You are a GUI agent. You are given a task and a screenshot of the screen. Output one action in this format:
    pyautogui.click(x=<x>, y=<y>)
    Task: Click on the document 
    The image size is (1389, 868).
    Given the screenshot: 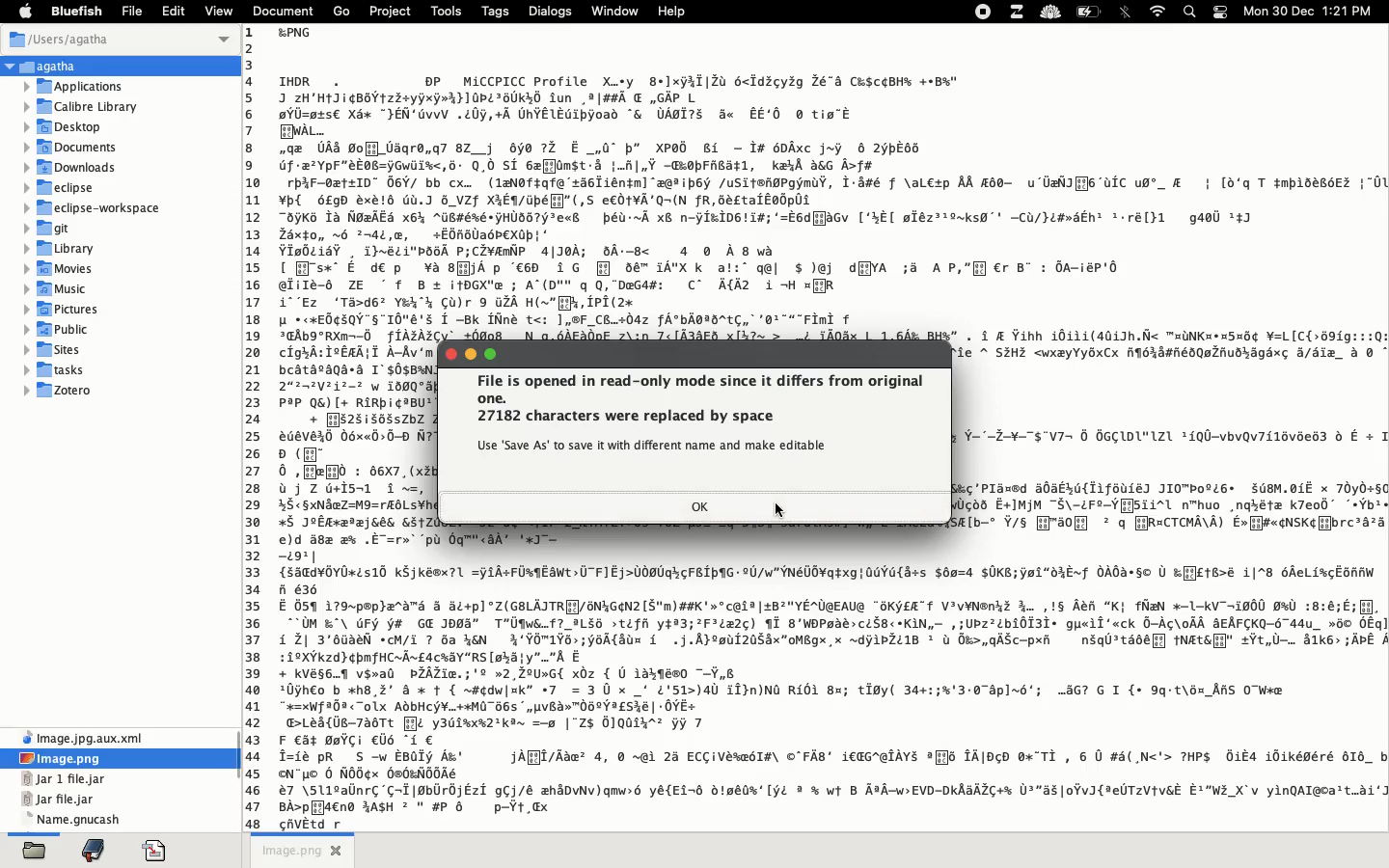 What is the action you would take?
    pyautogui.click(x=288, y=12)
    